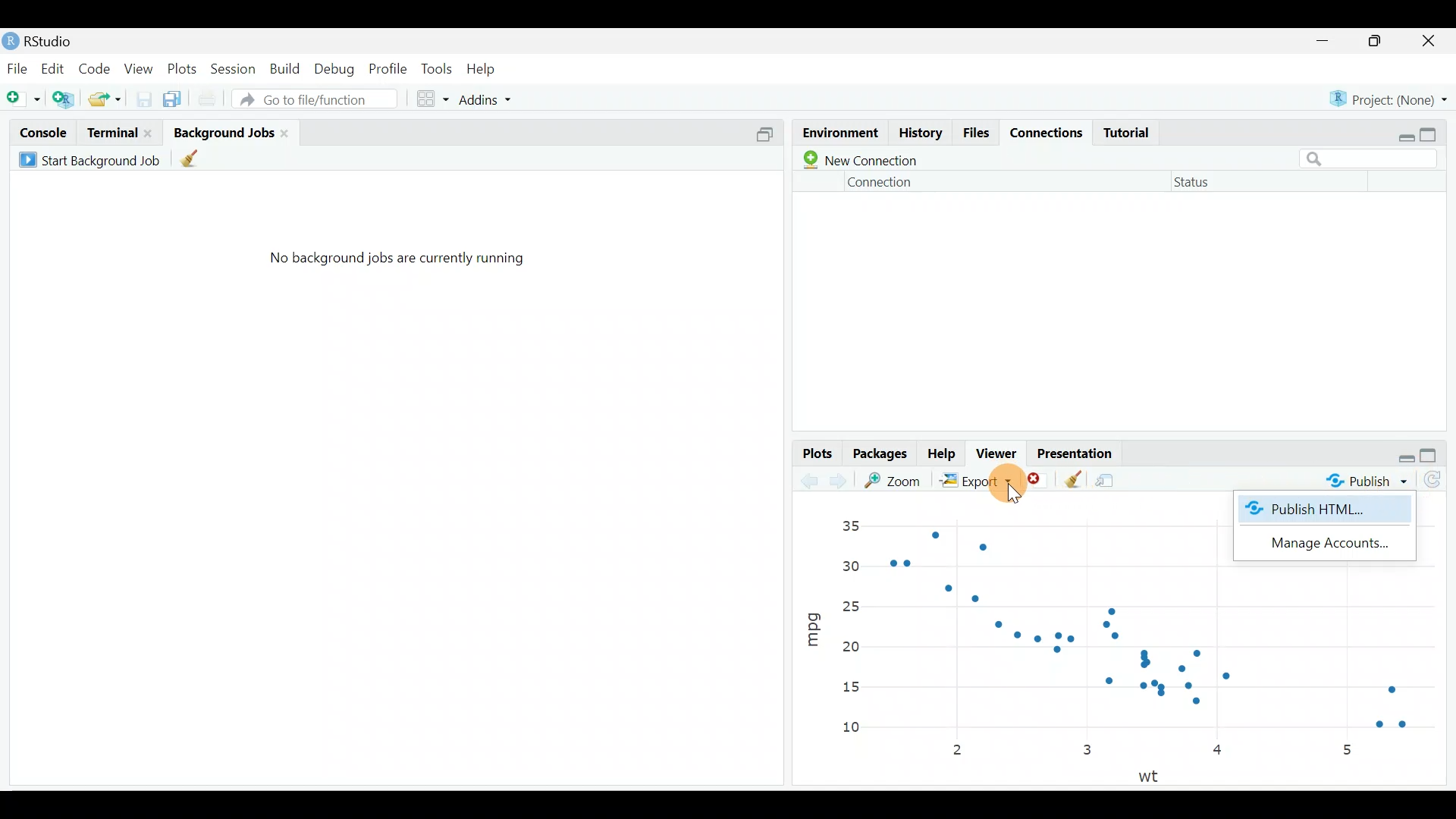  I want to click on Presentation, so click(1078, 450).